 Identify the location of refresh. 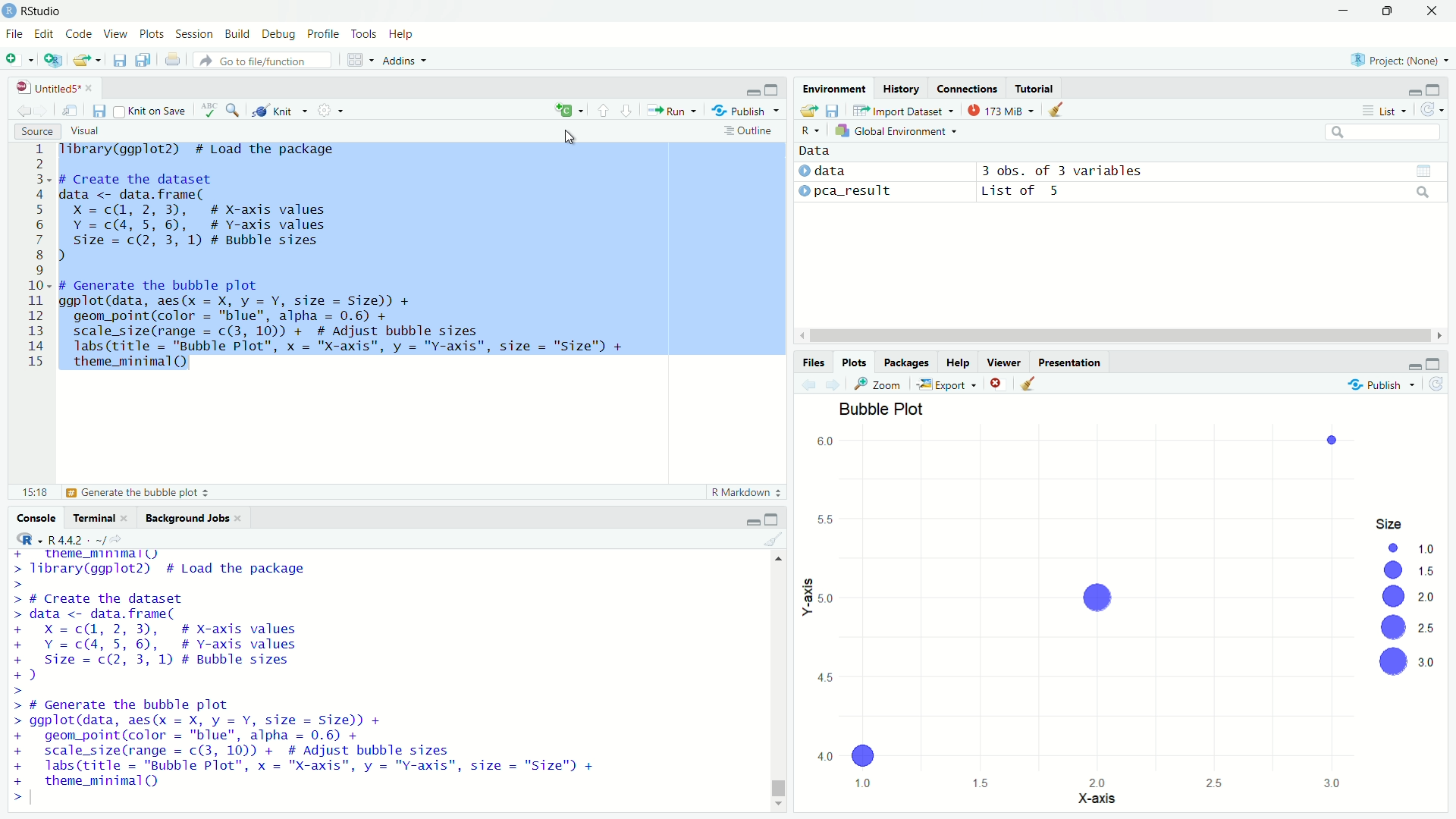
(1440, 384).